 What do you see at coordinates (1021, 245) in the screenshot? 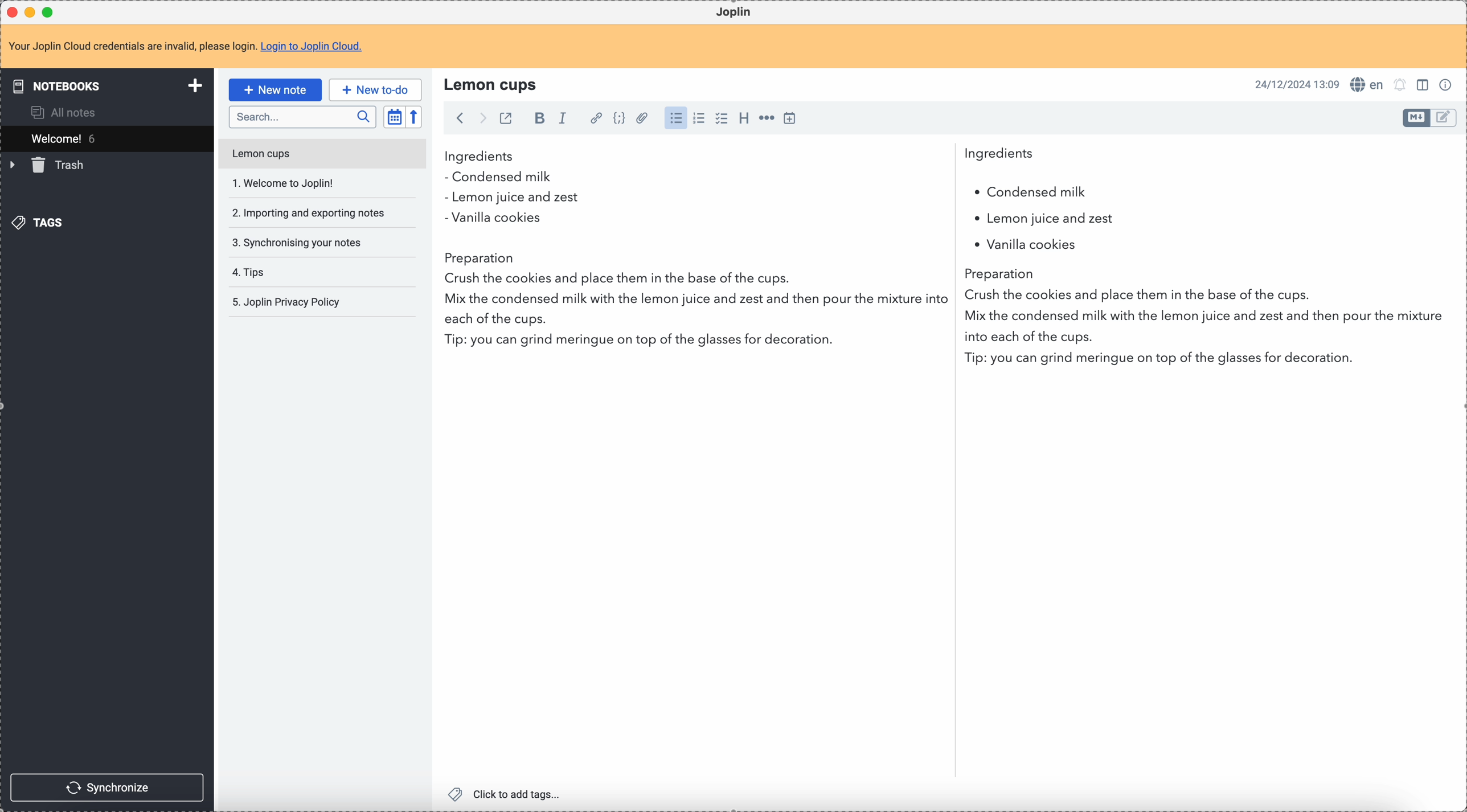
I see `vanilla cookies` at bounding box center [1021, 245].